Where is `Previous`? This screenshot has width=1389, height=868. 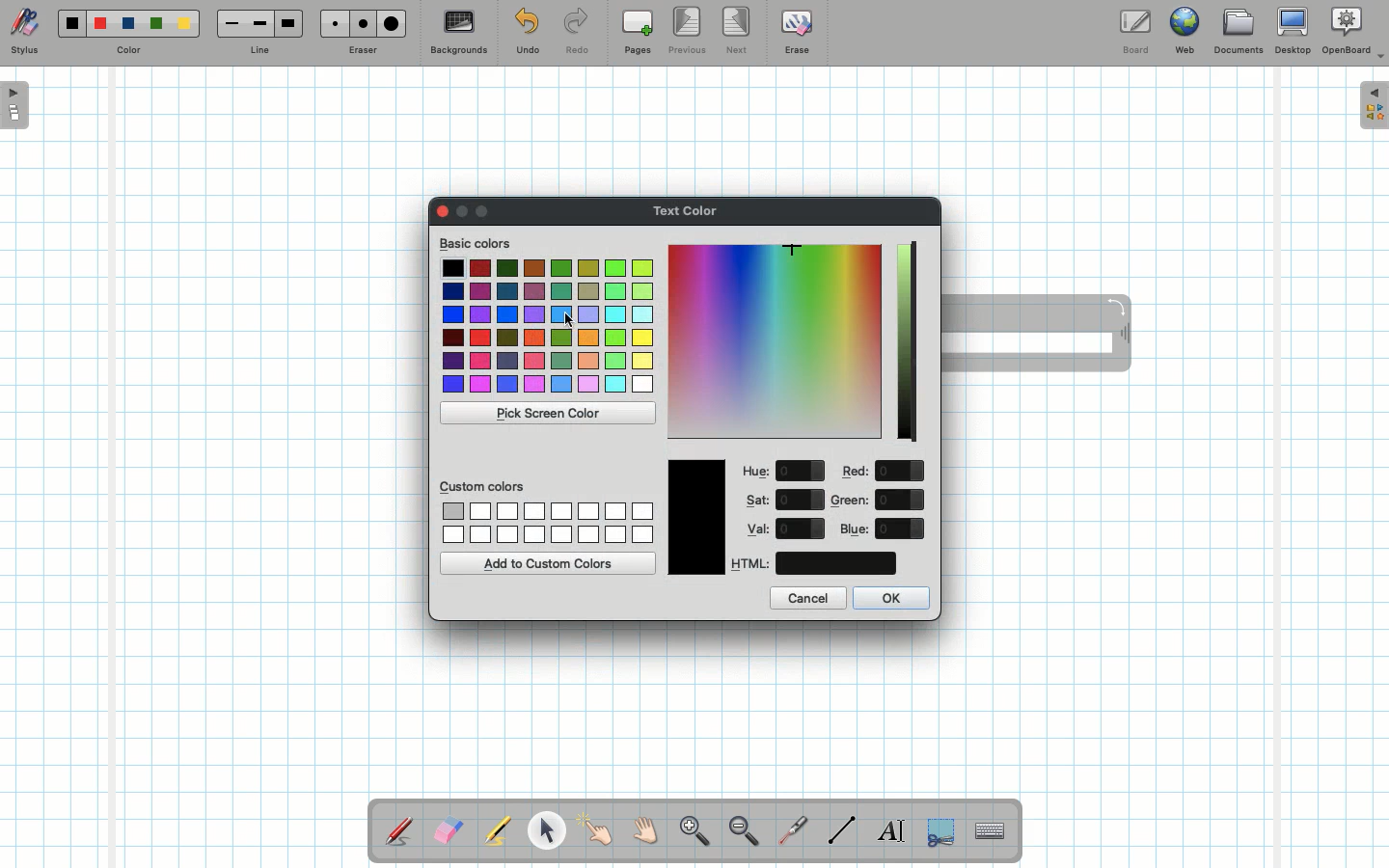
Previous is located at coordinates (689, 32).